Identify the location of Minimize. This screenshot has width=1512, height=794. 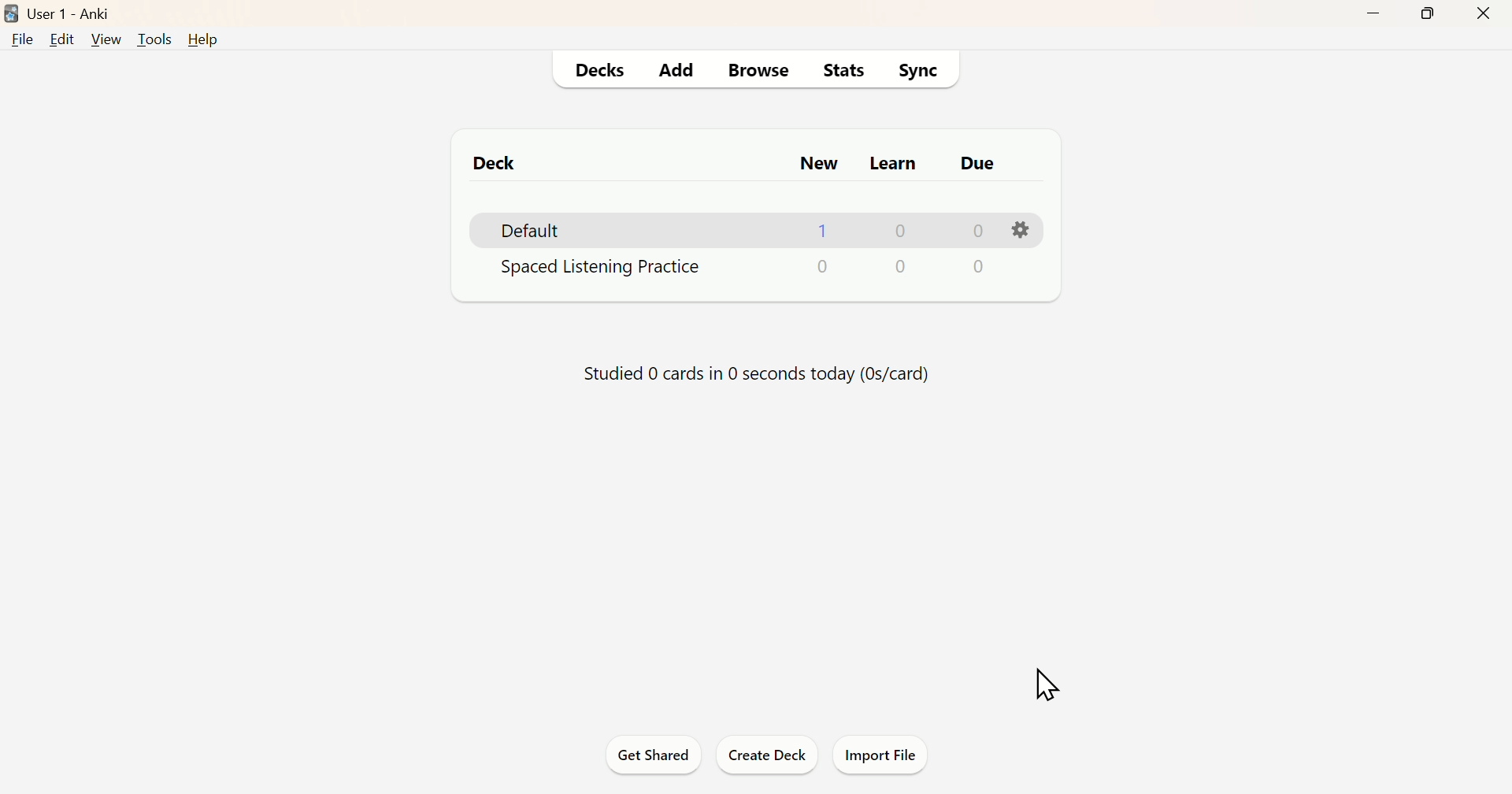
(1374, 17).